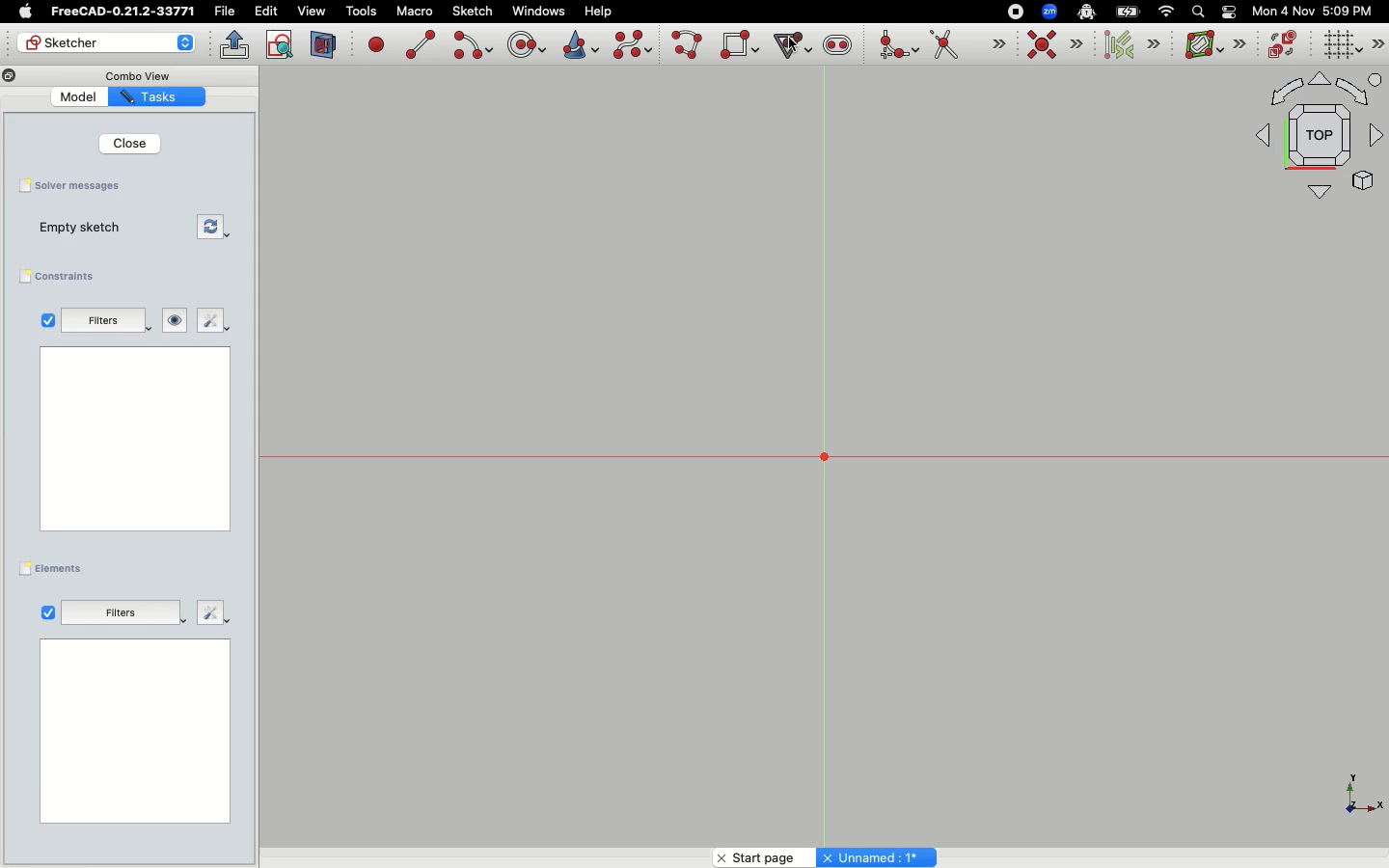 This screenshot has width=1389, height=868. What do you see at coordinates (23, 12) in the screenshot?
I see `Apple Logo` at bounding box center [23, 12].